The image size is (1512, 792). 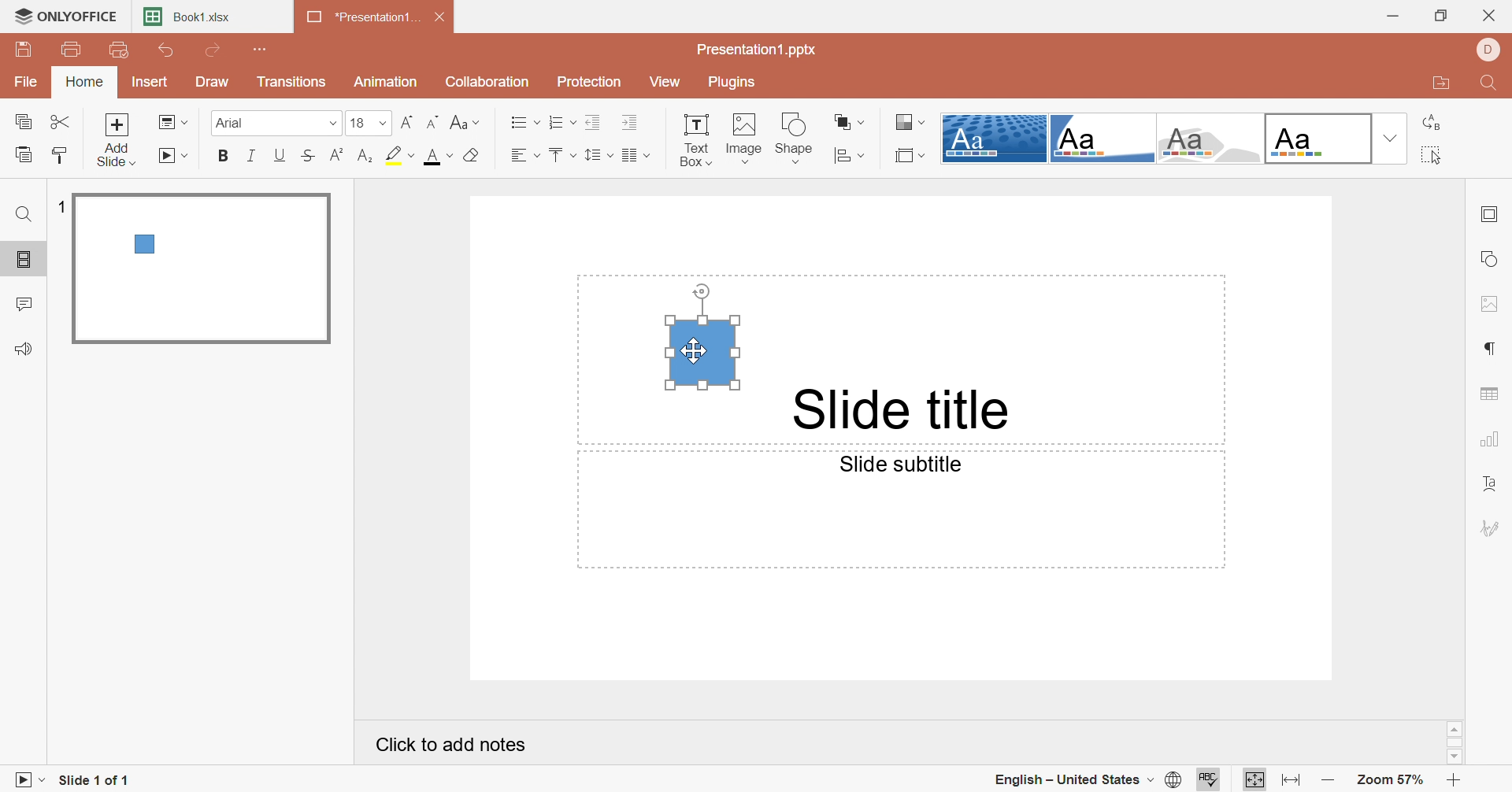 What do you see at coordinates (1493, 528) in the screenshot?
I see `Signature settings` at bounding box center [1493, 528].